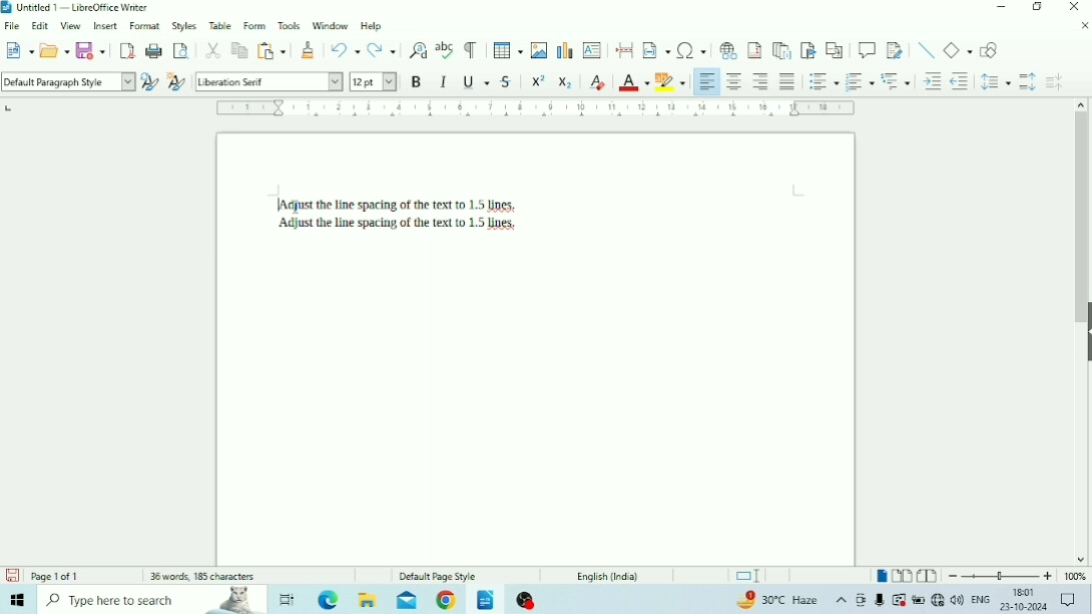 This screenshot has height=614, width=1092. What do you see at coordinates (728, 49) in the screenshot?
I see `Insert Hyperlink` at bounding box center [728, 49].